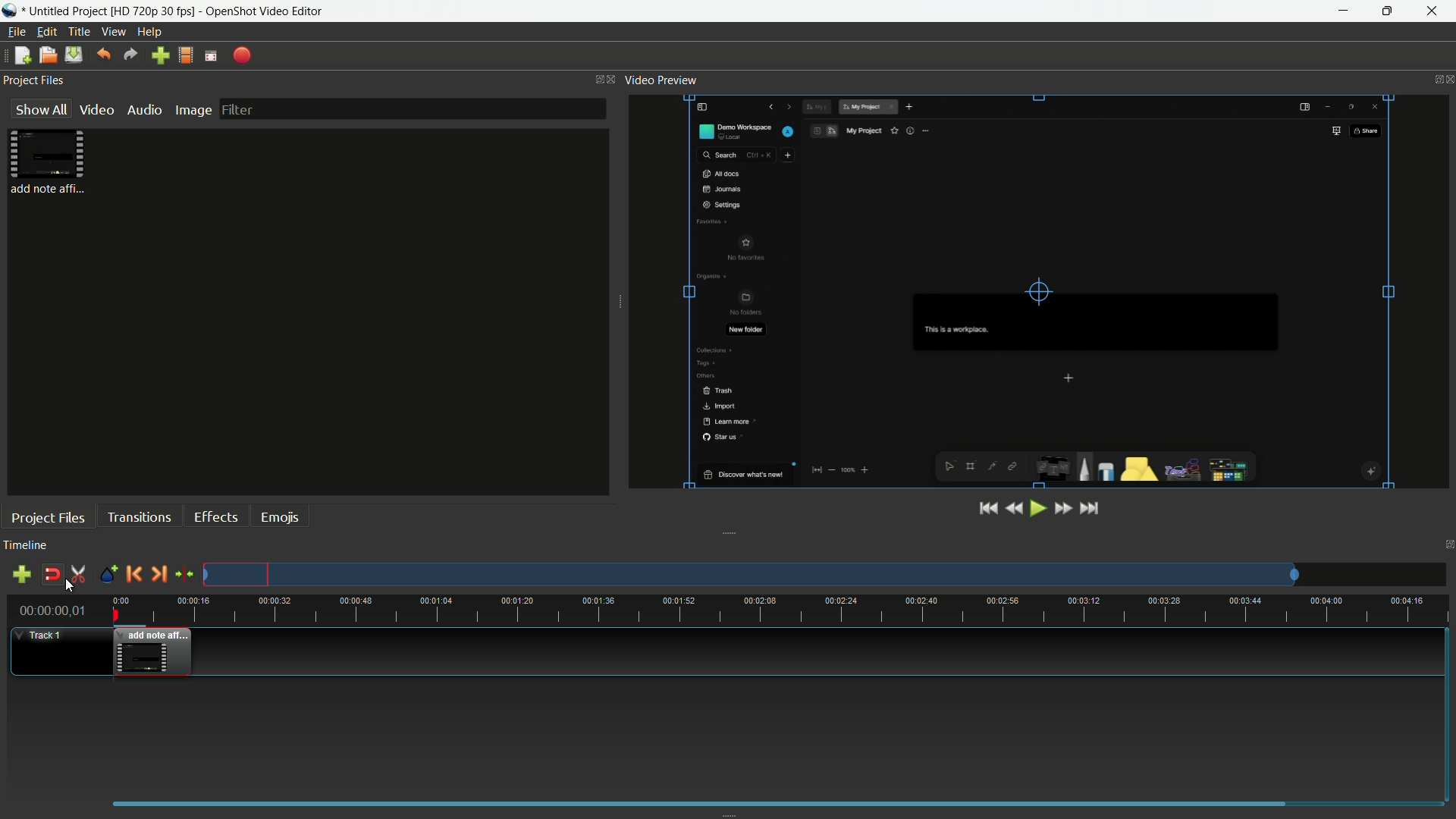 This screenshot has width=1456, height=819. I want to click on time, so click(780, 610).